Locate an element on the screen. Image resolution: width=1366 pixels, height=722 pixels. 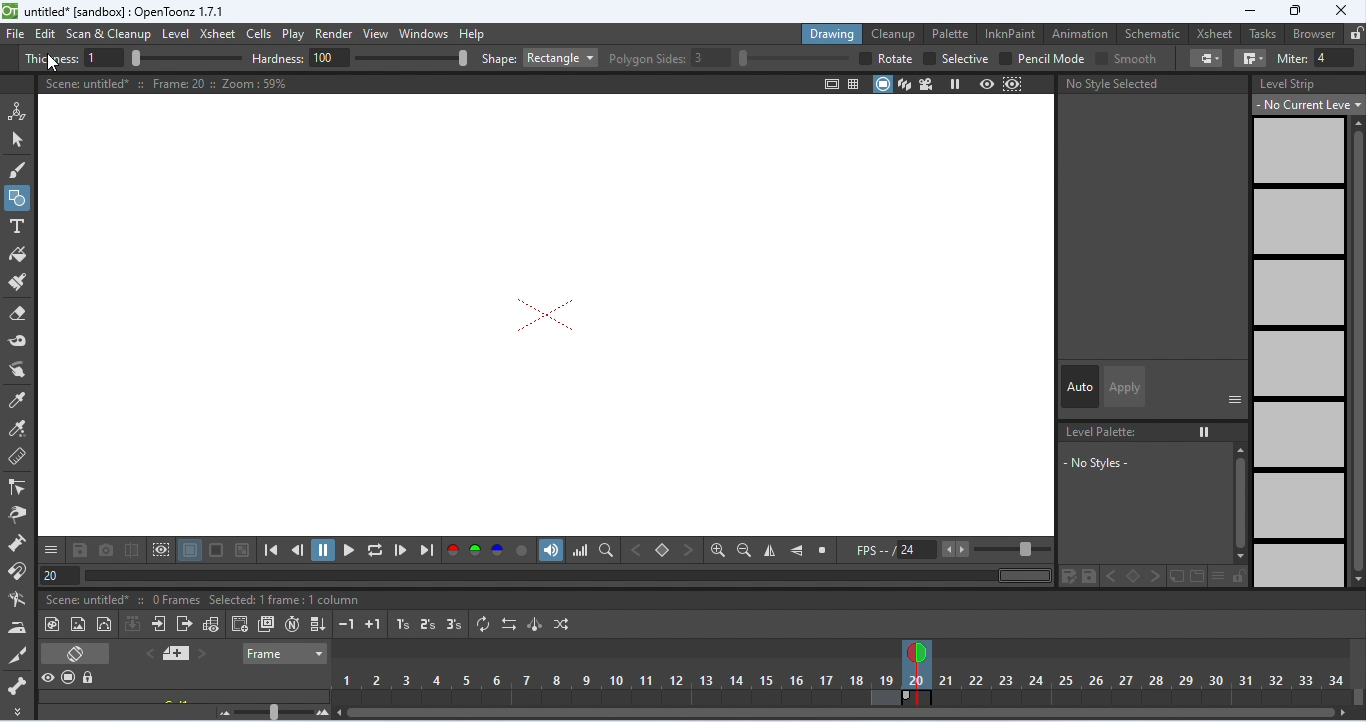
color change in save palette is located at coordinates (1089, 577).